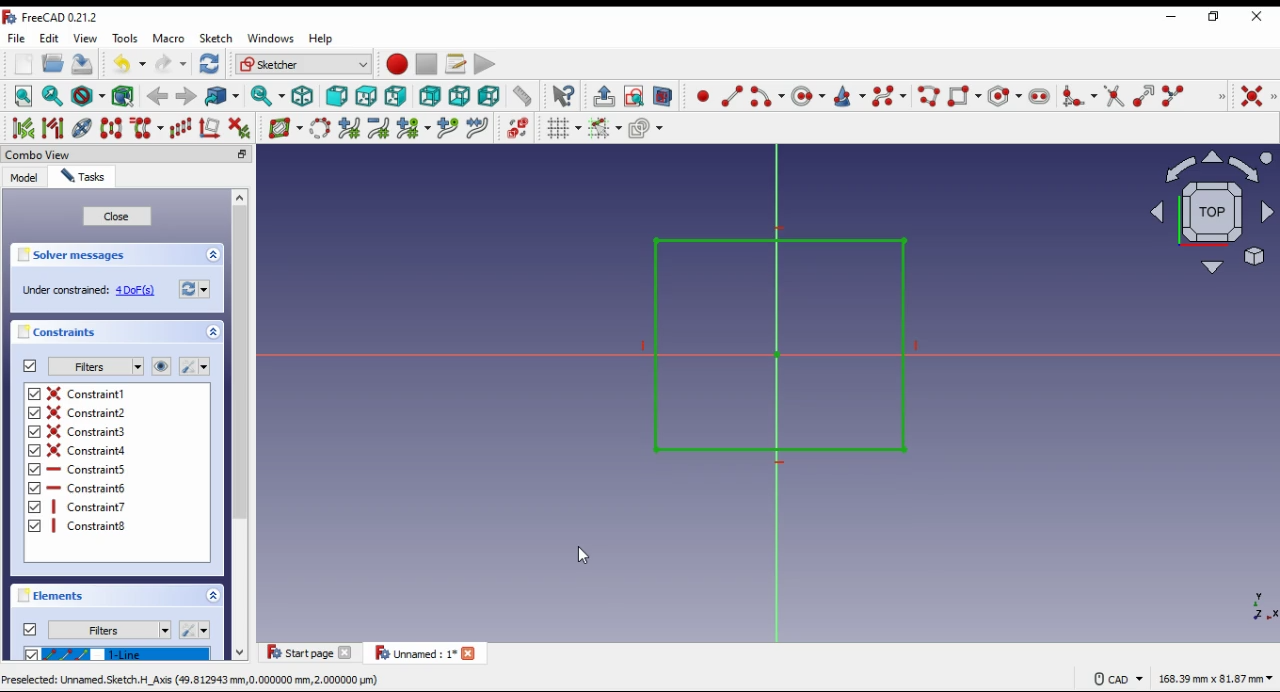  Describe the element at coordinates (242, 154) in the screenshot. I see `minimize` at that location.